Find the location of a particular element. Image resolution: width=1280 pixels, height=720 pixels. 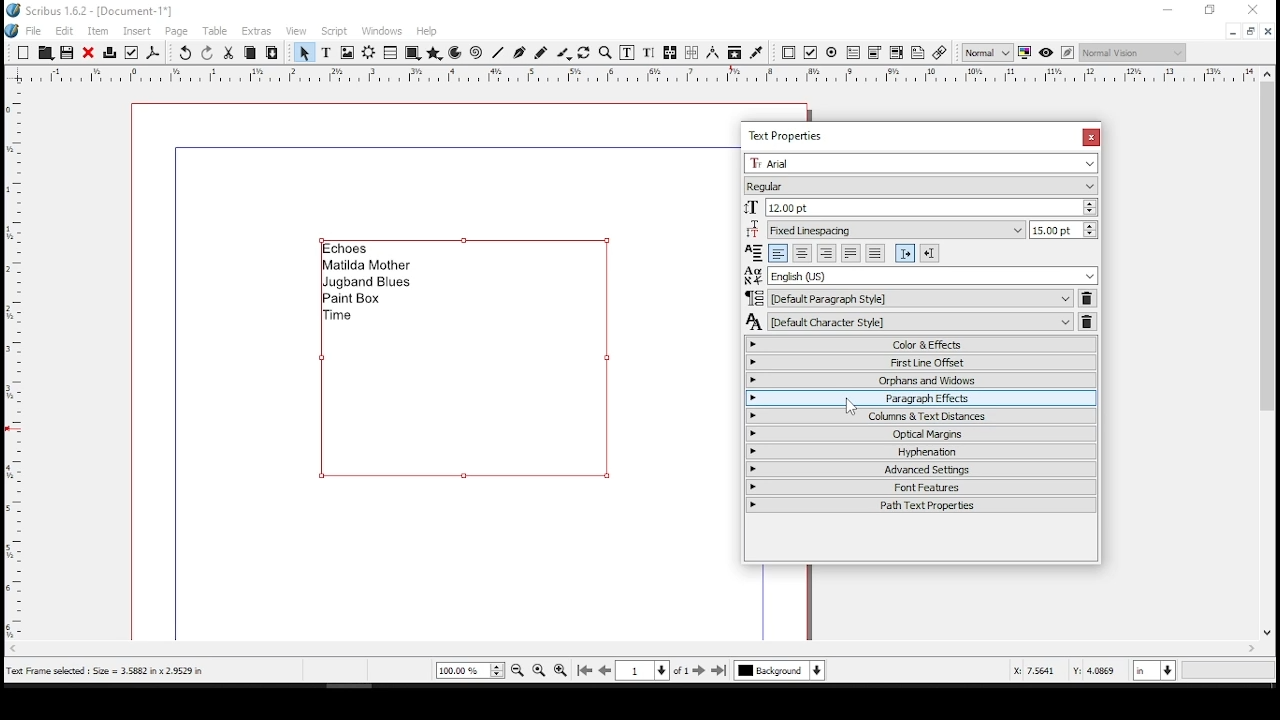

close window is located at coordinates (1268, 31).